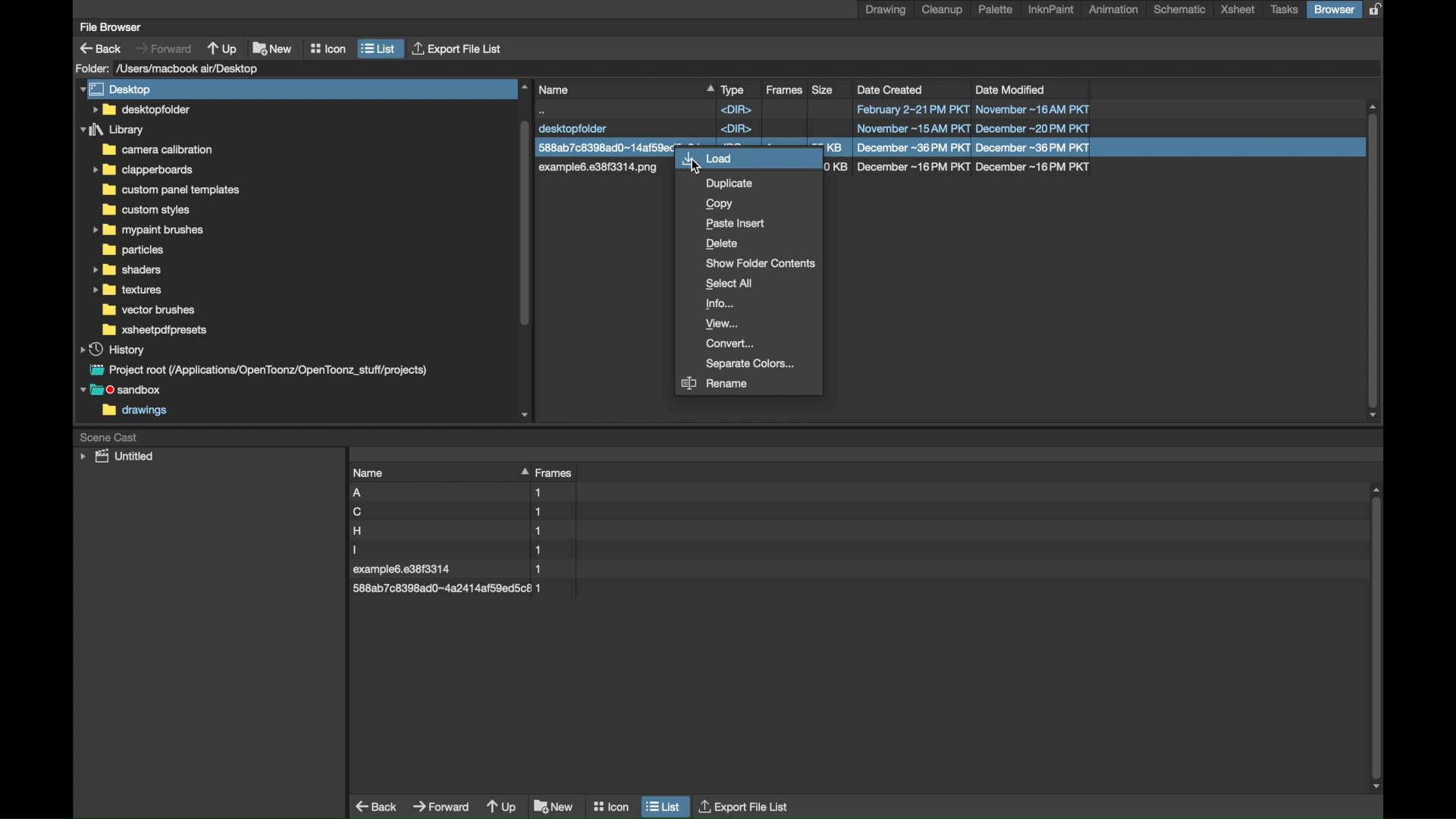  What do you see at coordinates (146, 210) in the screenshot?
I see `folder` at bounding box center [146, 210].